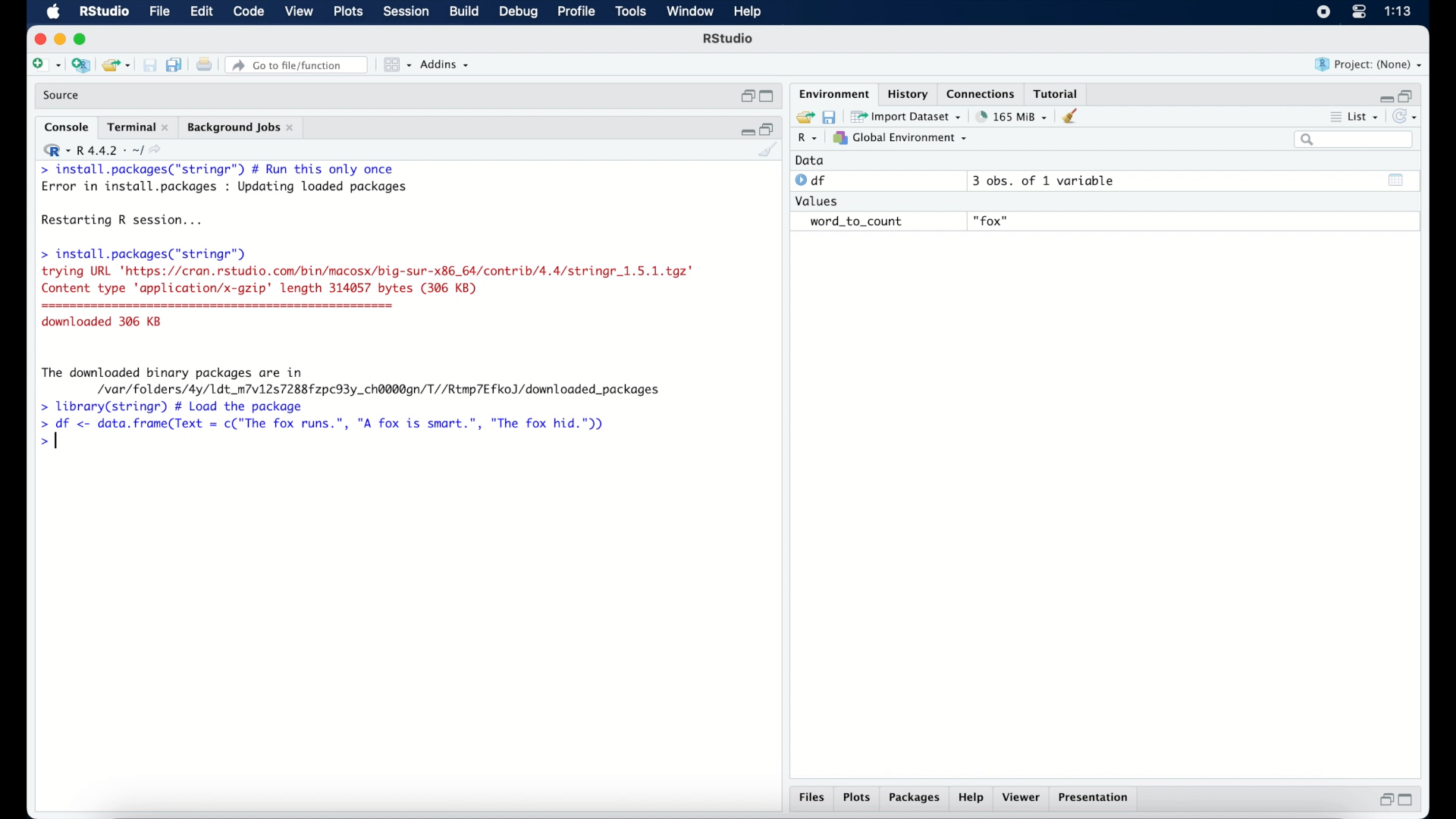 This screenshot has height=819, width=1456. I want to click on help, so click(750, 13).